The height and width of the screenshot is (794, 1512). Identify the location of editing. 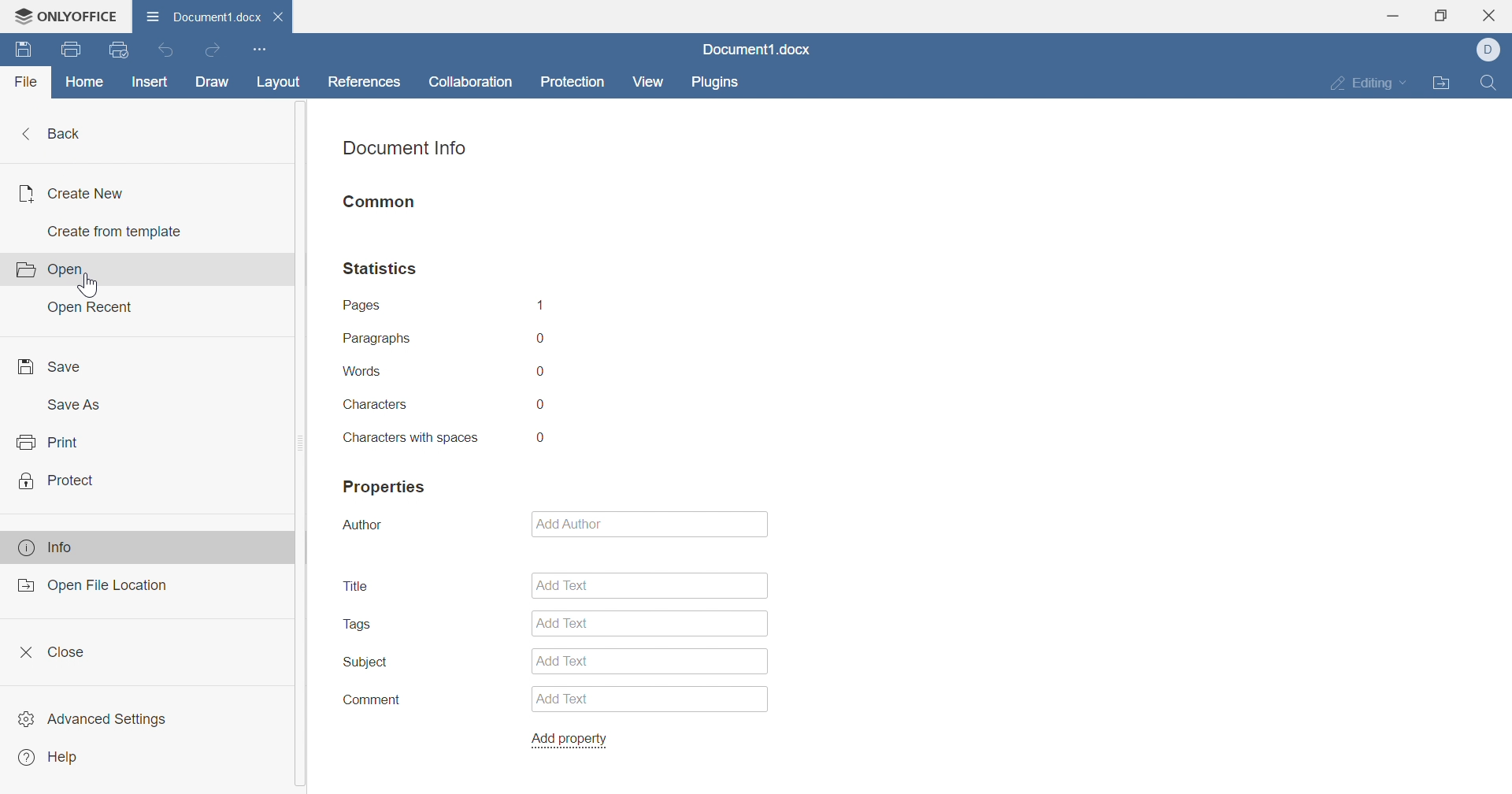
(1369, 86).